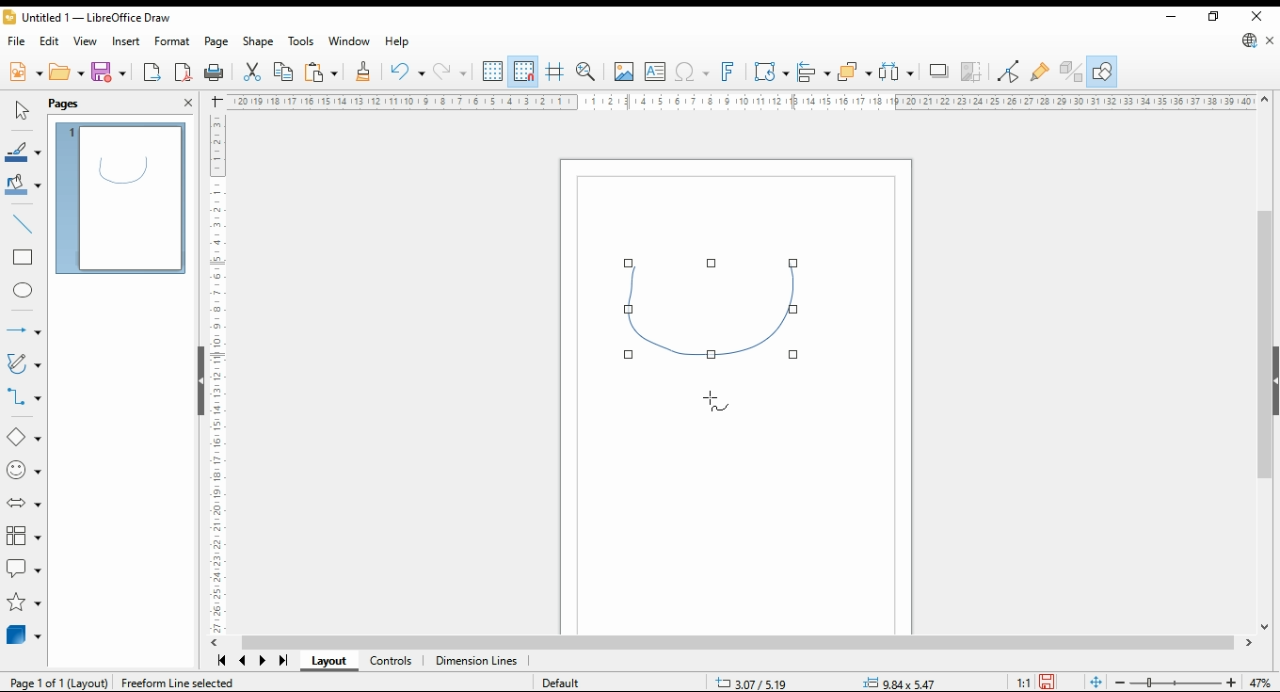 This screenshot has width=1280, height=692. What do you see at coordinates (18, 41) in the screenshot?
I see `file` at bounding box center [18, 41].